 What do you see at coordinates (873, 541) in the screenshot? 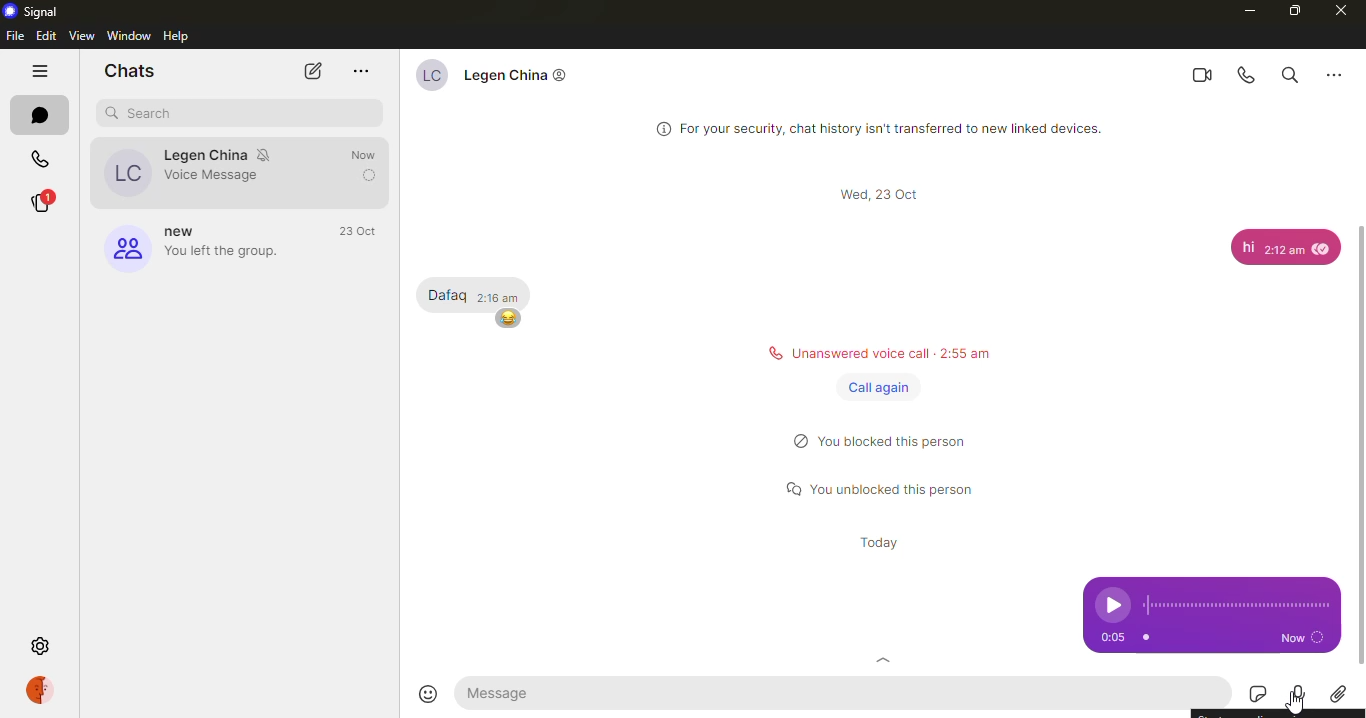
I see `Today` at bounding box center [873, 541].